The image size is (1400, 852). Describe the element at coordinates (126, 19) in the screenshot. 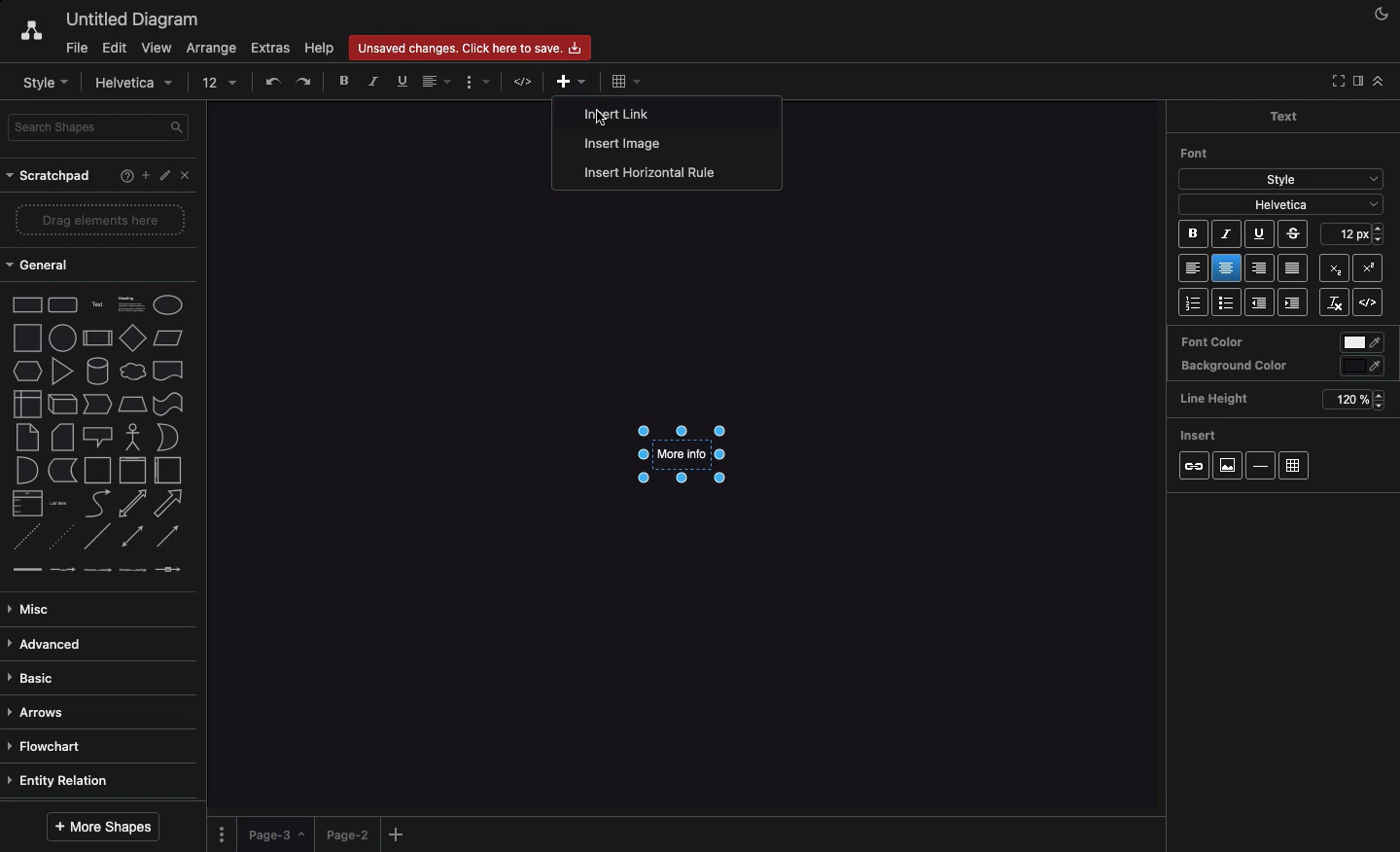

I see `Untitled diagram` at that location.